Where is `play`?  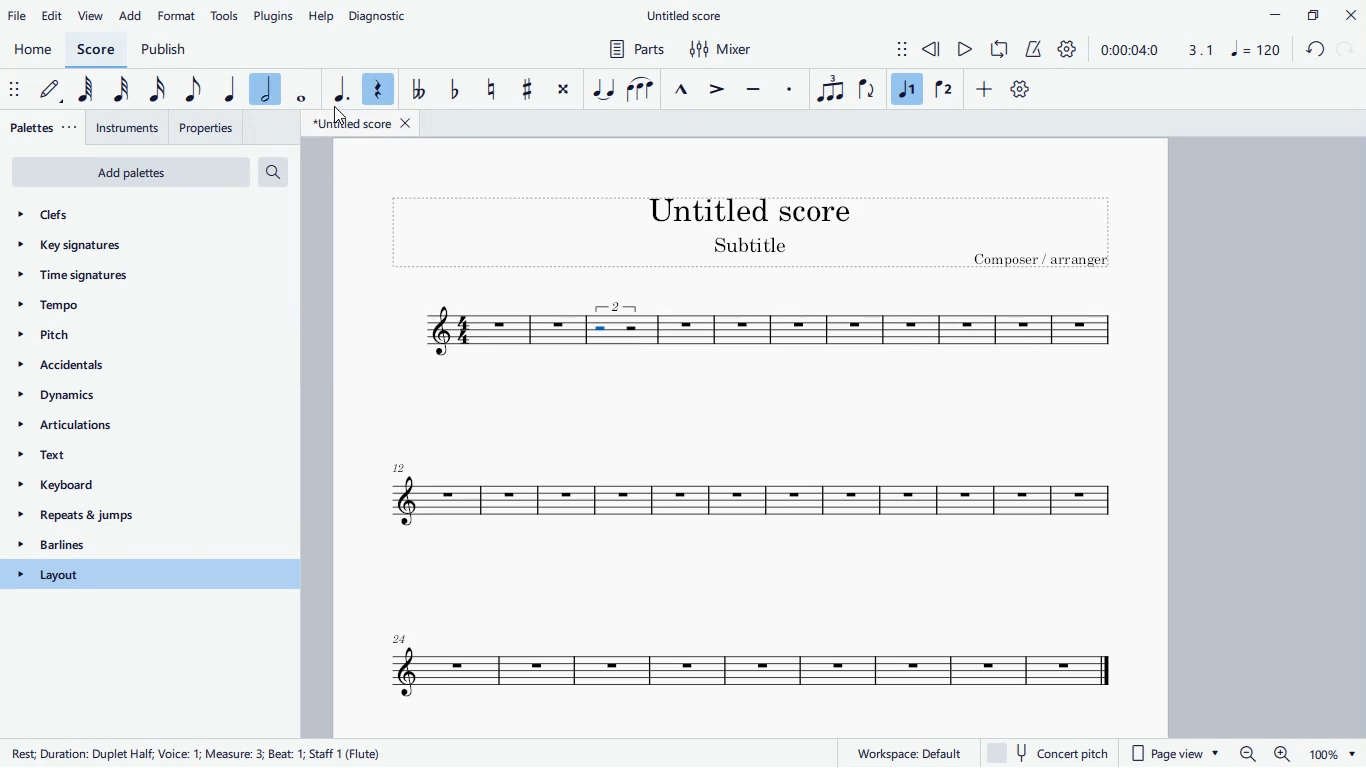 play is located at coordinates (966, 51).